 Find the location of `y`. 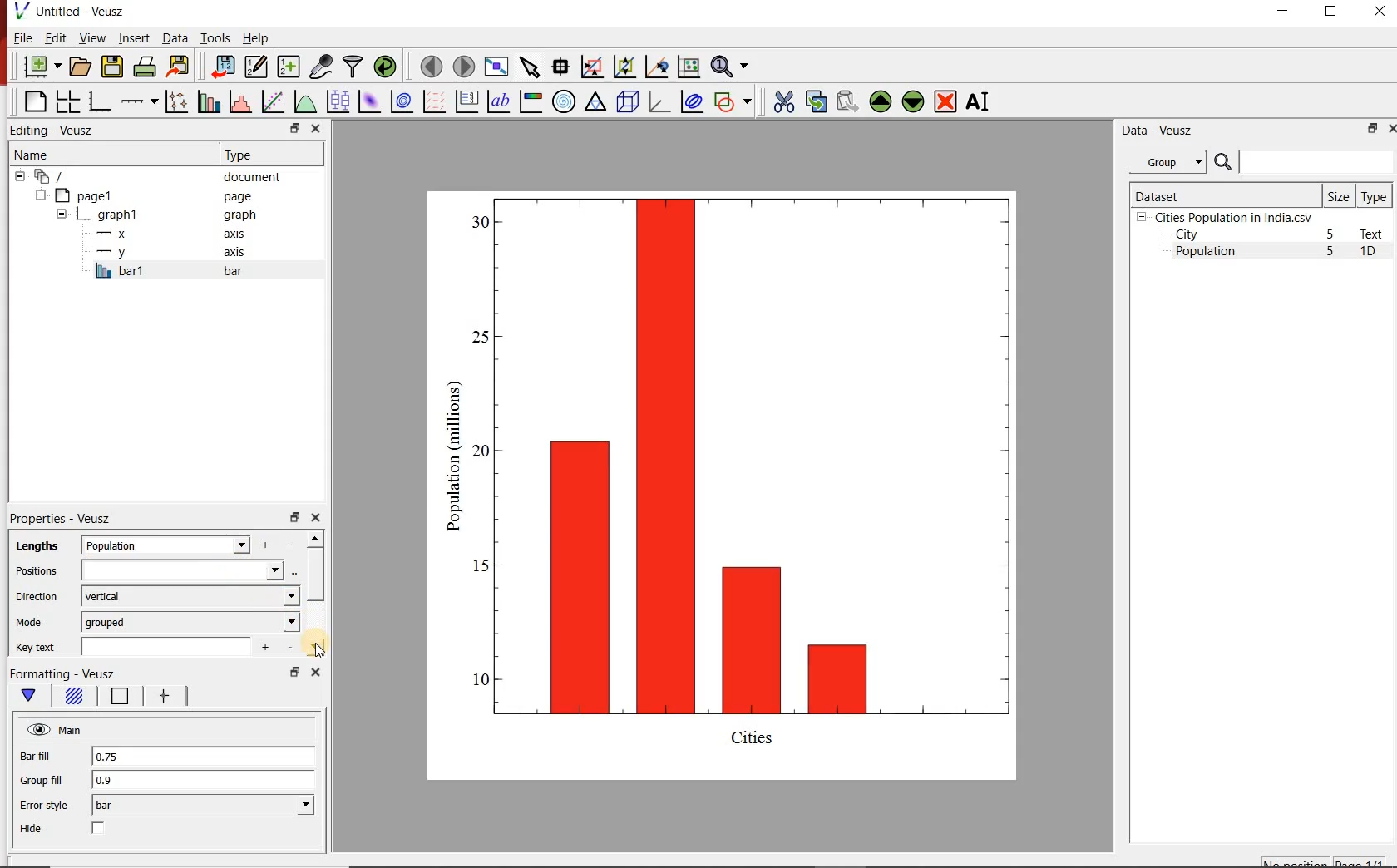

y is located at coordinates (189, 545).